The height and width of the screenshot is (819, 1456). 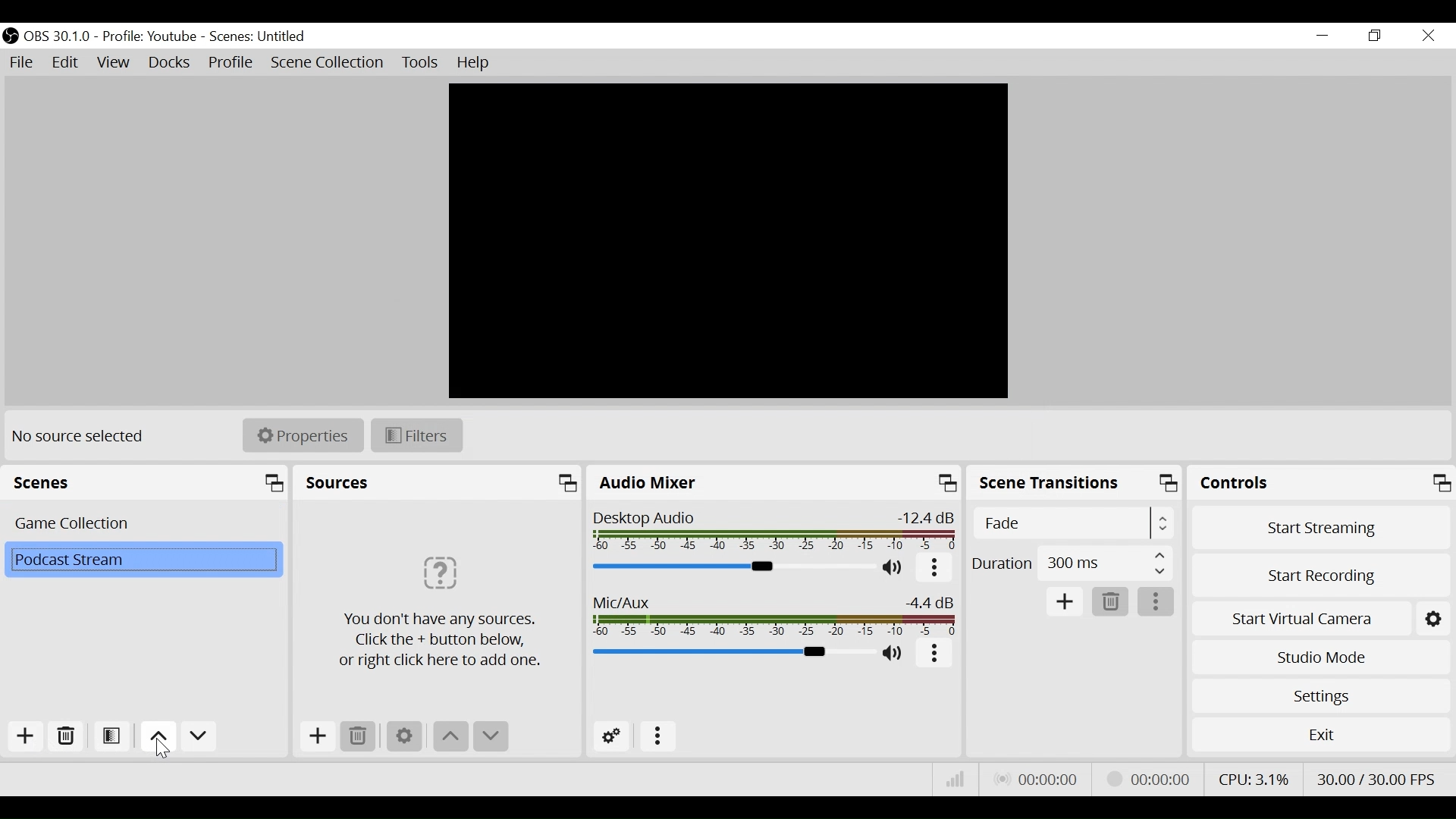 I want to click on more options, so click(x=659, y=736).